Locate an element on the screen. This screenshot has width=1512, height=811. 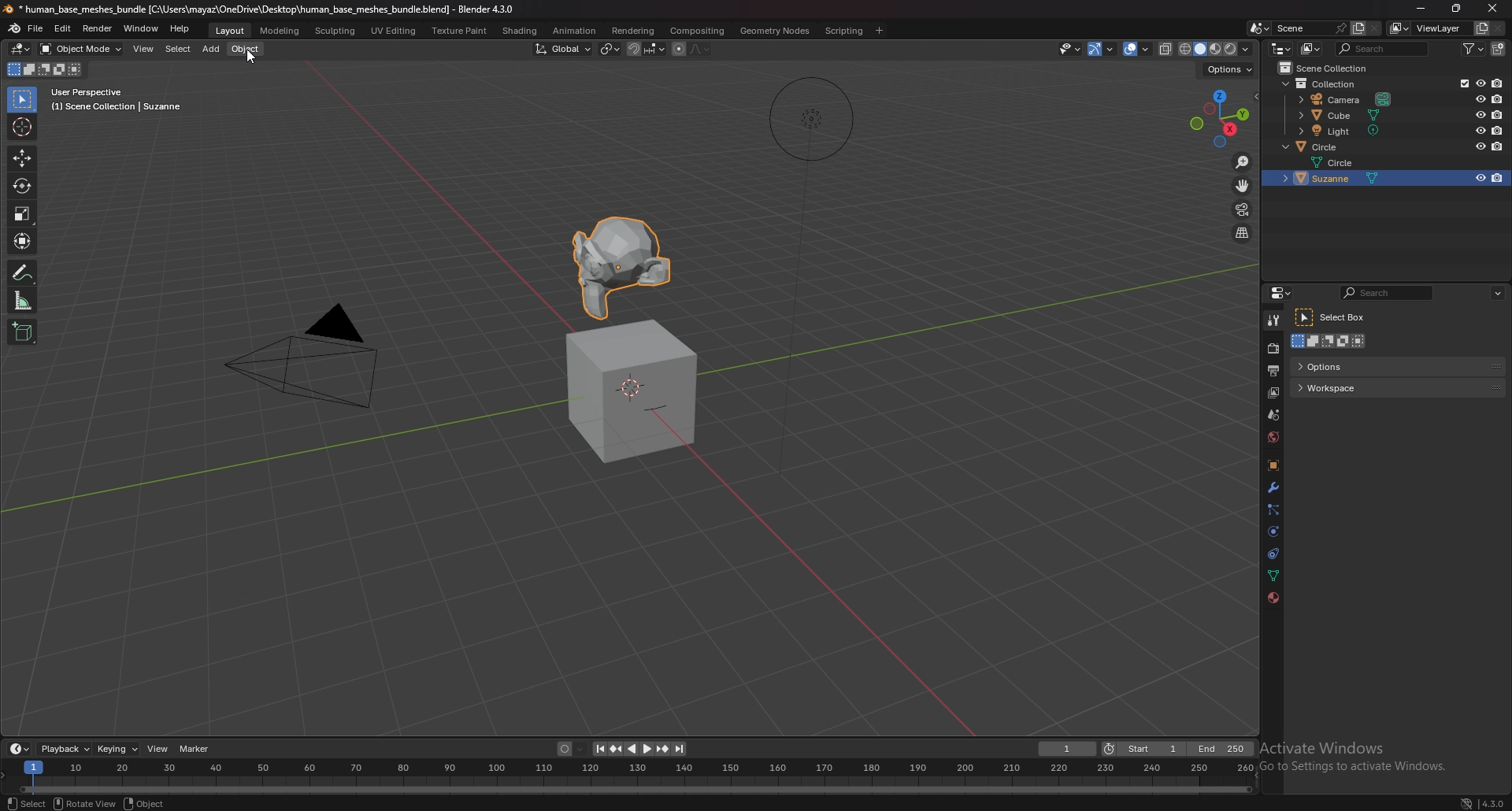
editor type is located at coordinates (1280, 293).